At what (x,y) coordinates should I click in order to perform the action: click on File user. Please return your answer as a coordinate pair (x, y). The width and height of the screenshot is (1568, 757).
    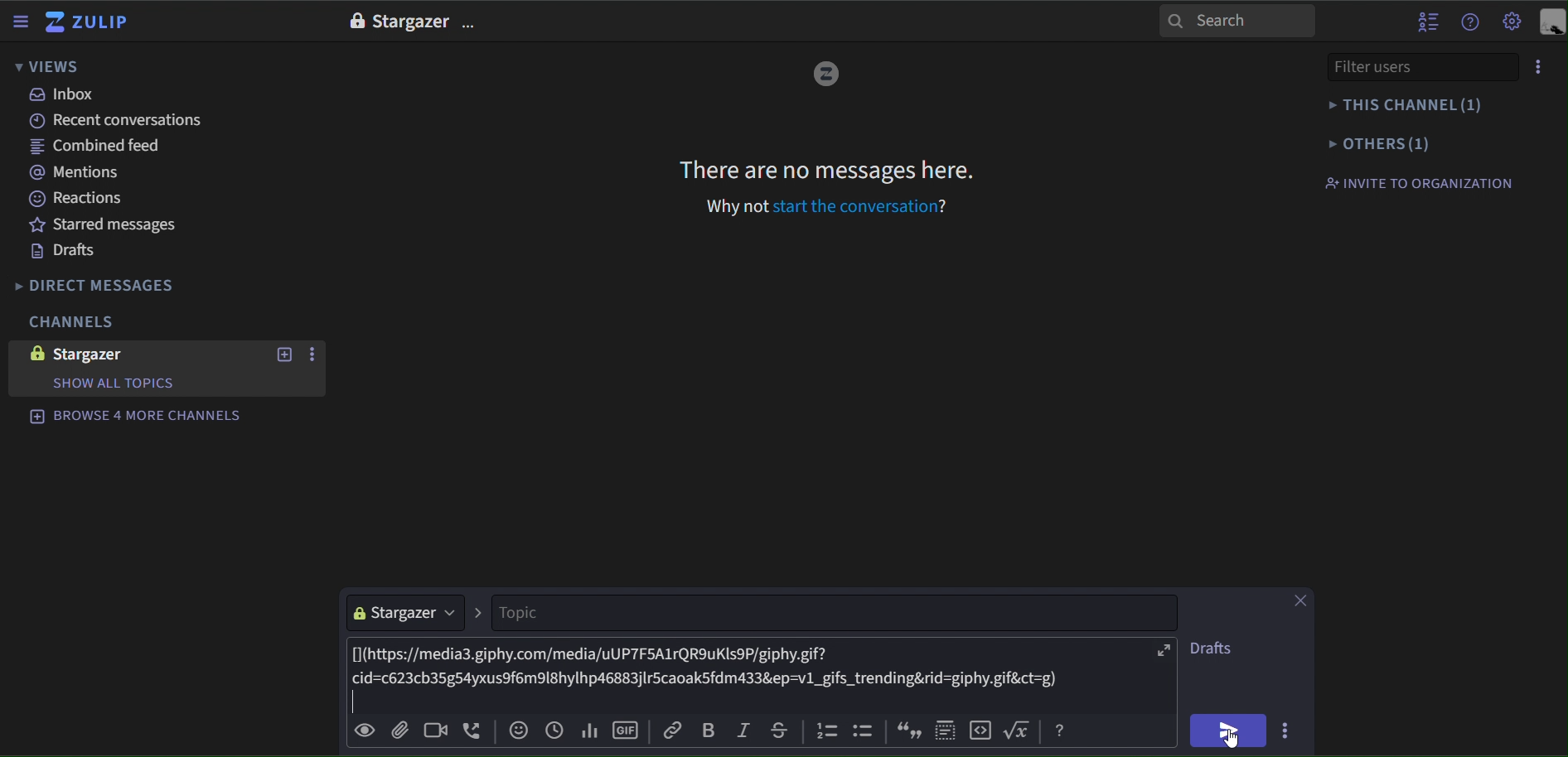
    Looking at the image, I should click on (1398, 66).